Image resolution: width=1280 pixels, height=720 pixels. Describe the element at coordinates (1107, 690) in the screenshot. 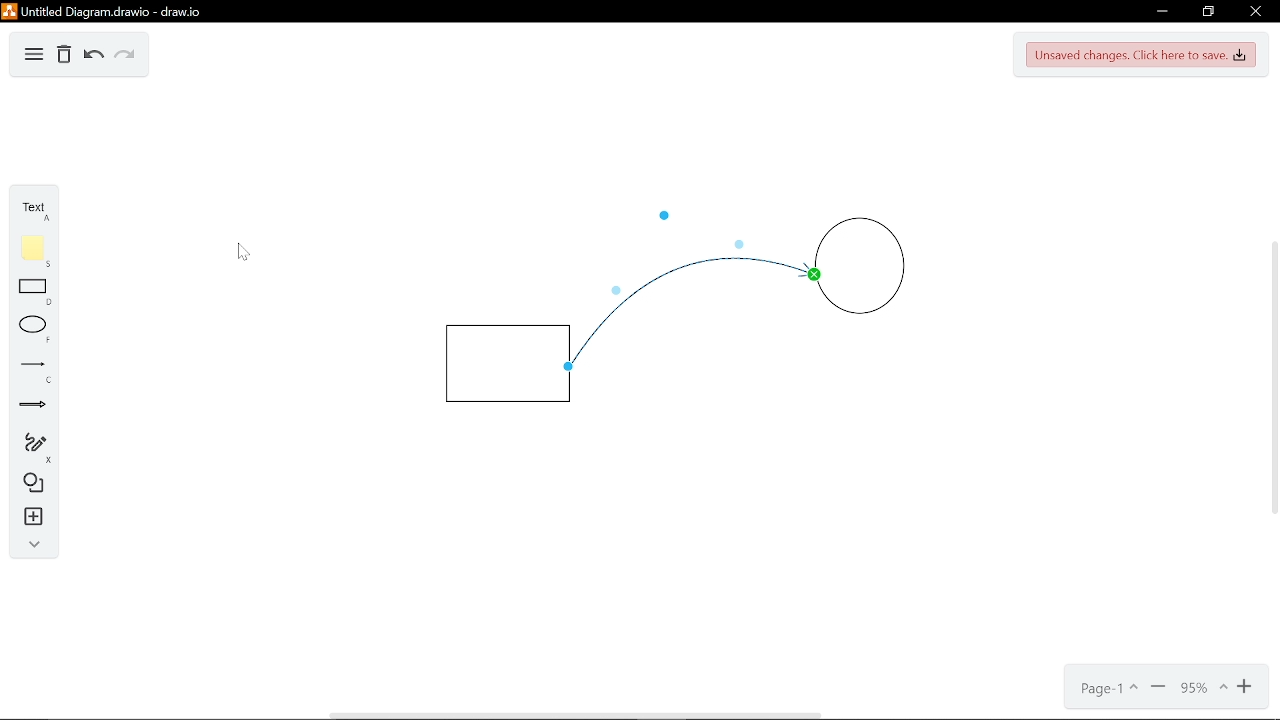

I see `Page- 1` at that location.